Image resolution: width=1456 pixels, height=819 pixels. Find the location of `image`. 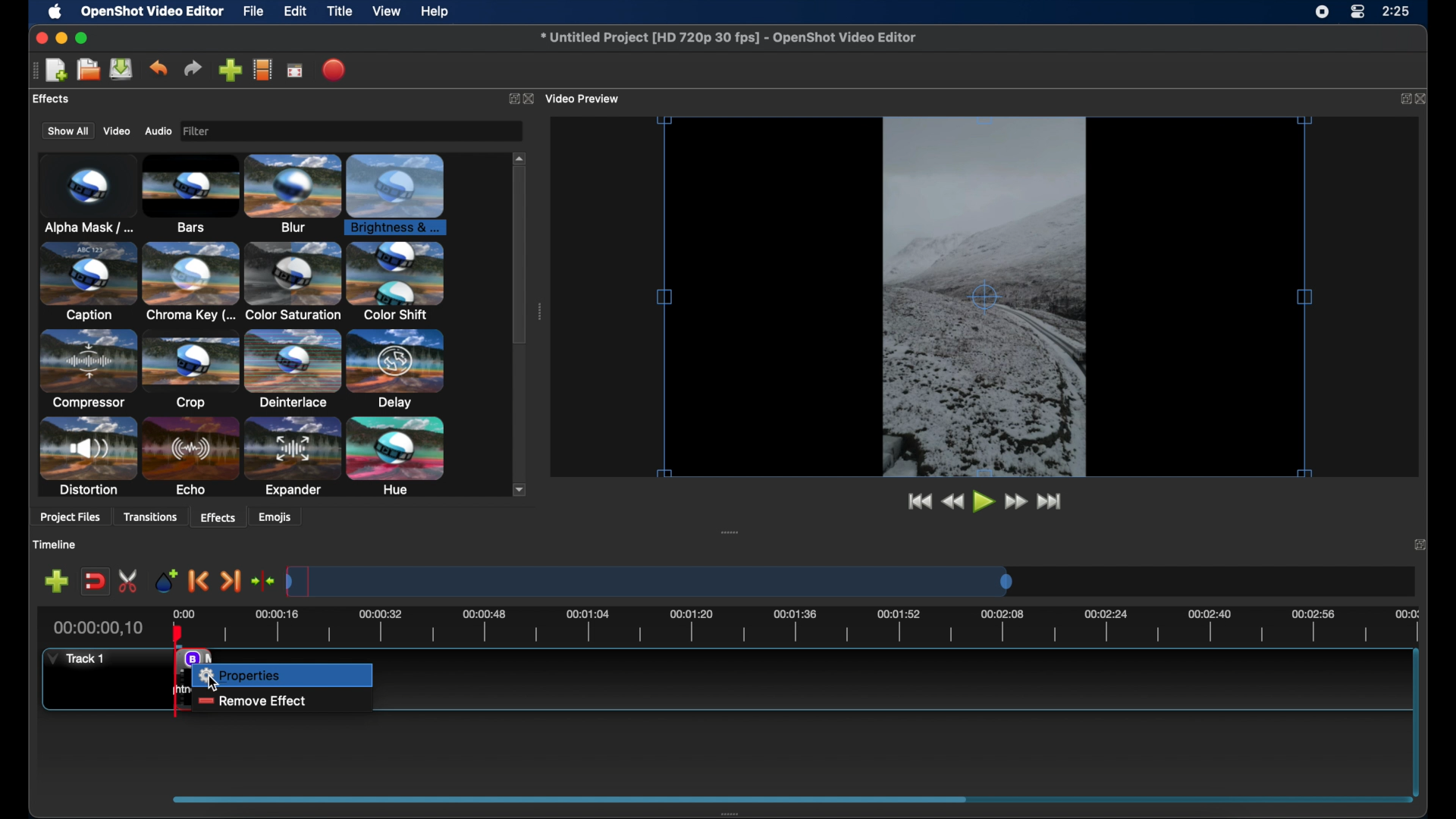

image is located at coordinates (200, 131).